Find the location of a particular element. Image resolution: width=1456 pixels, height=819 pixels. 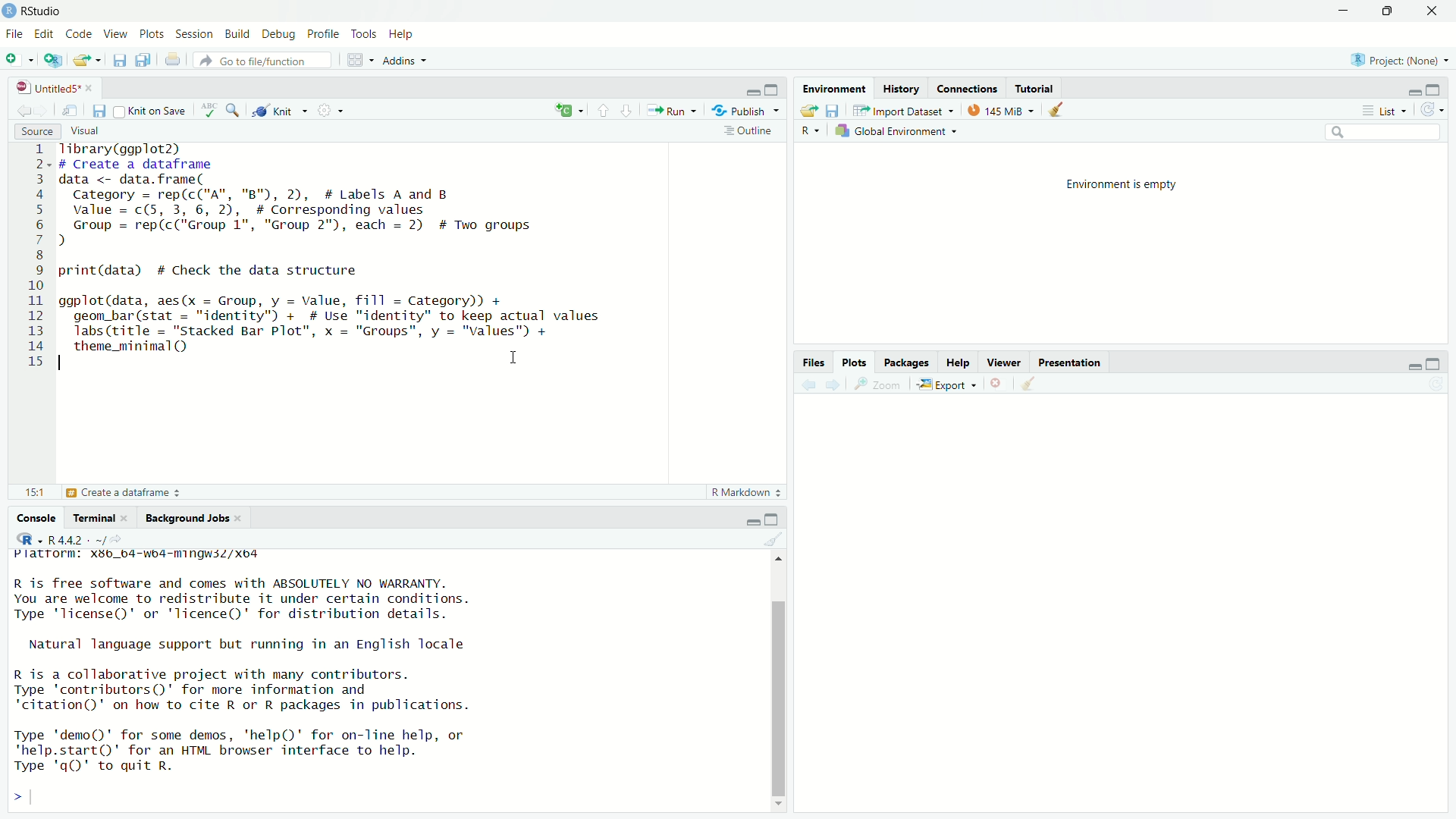

Open an existing file (Ctrl + O) is located at coordinates (87, 59).